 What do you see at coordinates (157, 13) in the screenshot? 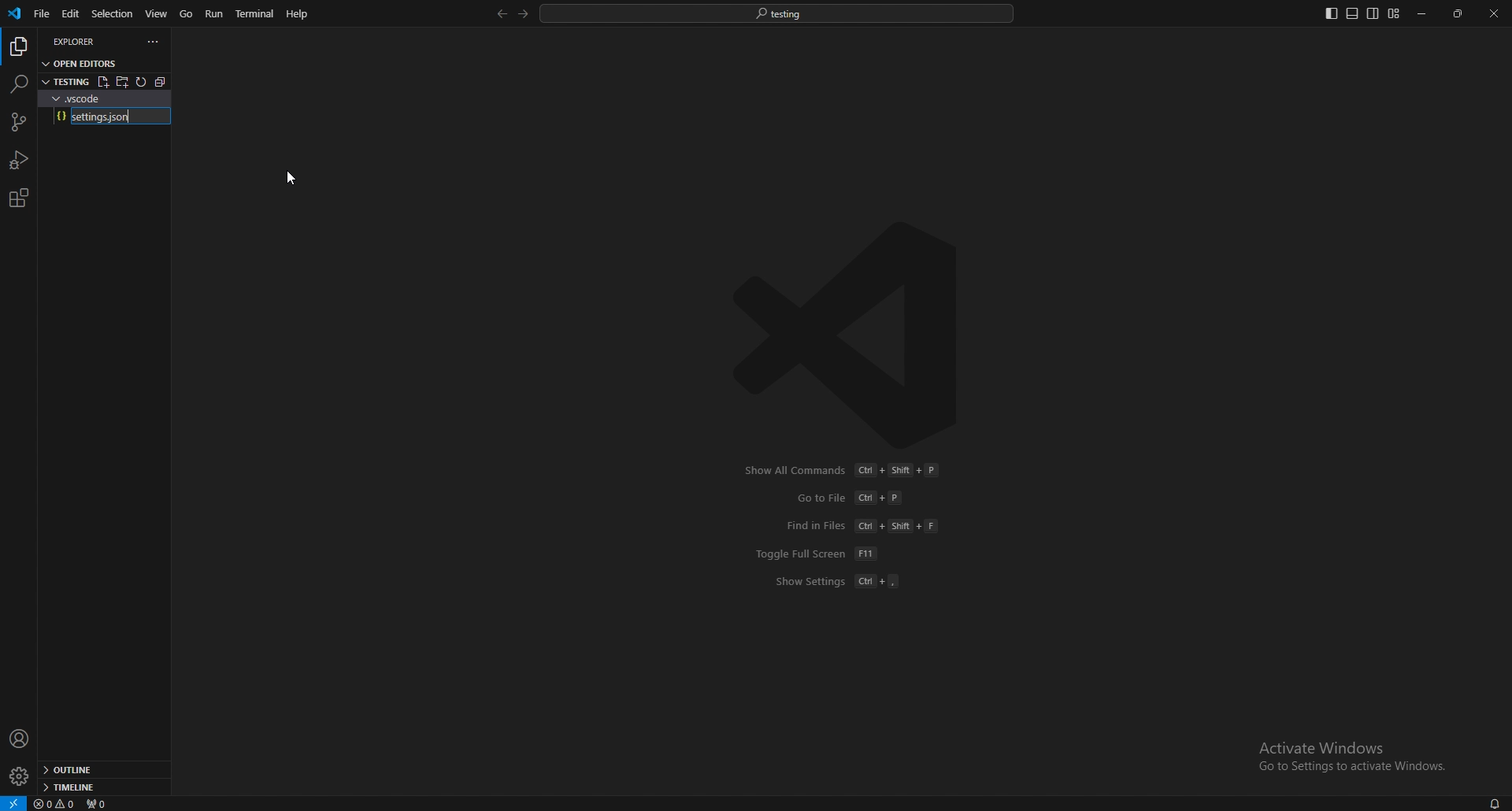
I see `view` at bounding box center [157, 13].